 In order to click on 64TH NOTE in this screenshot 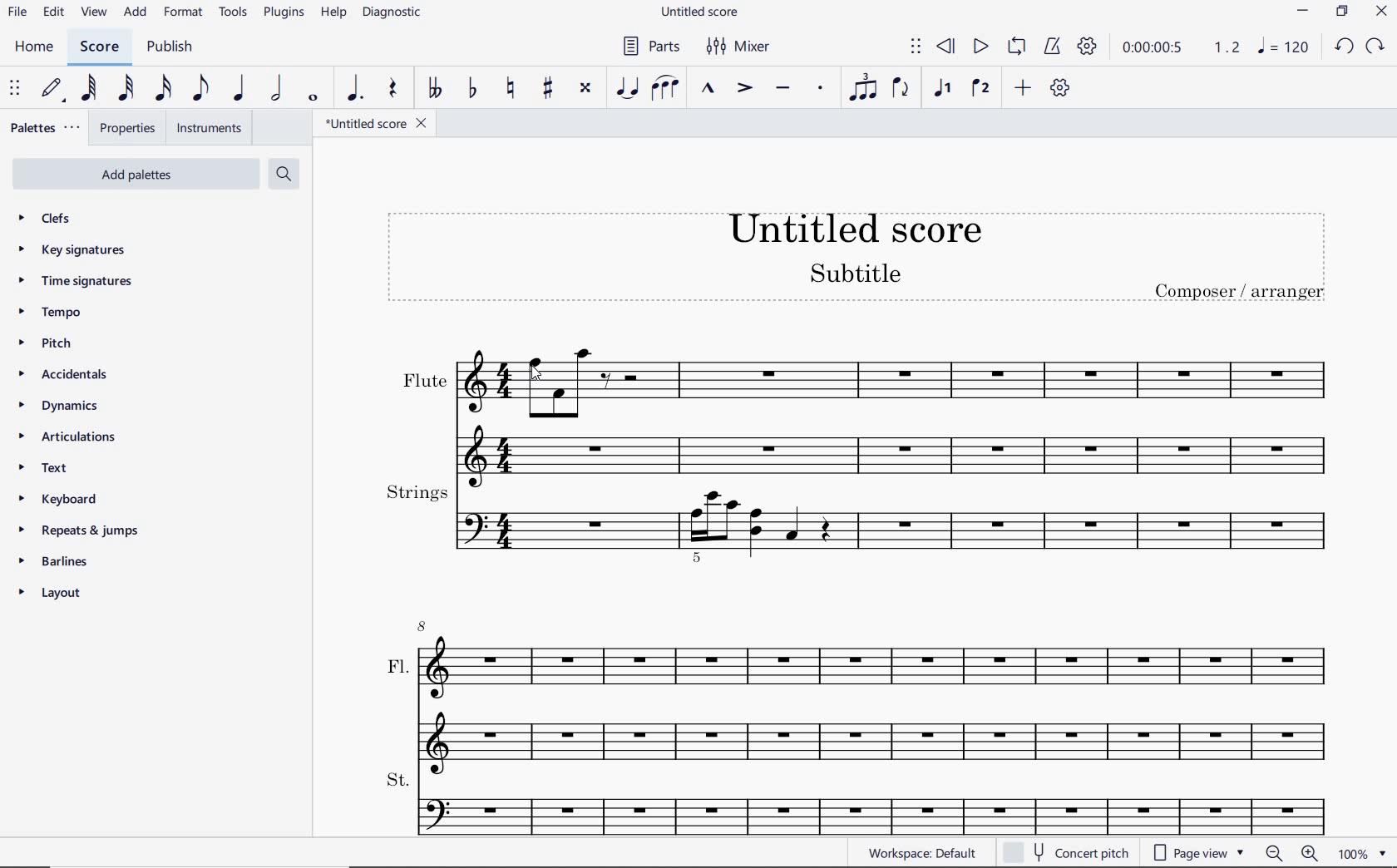, I will do `click(89, 88)`.